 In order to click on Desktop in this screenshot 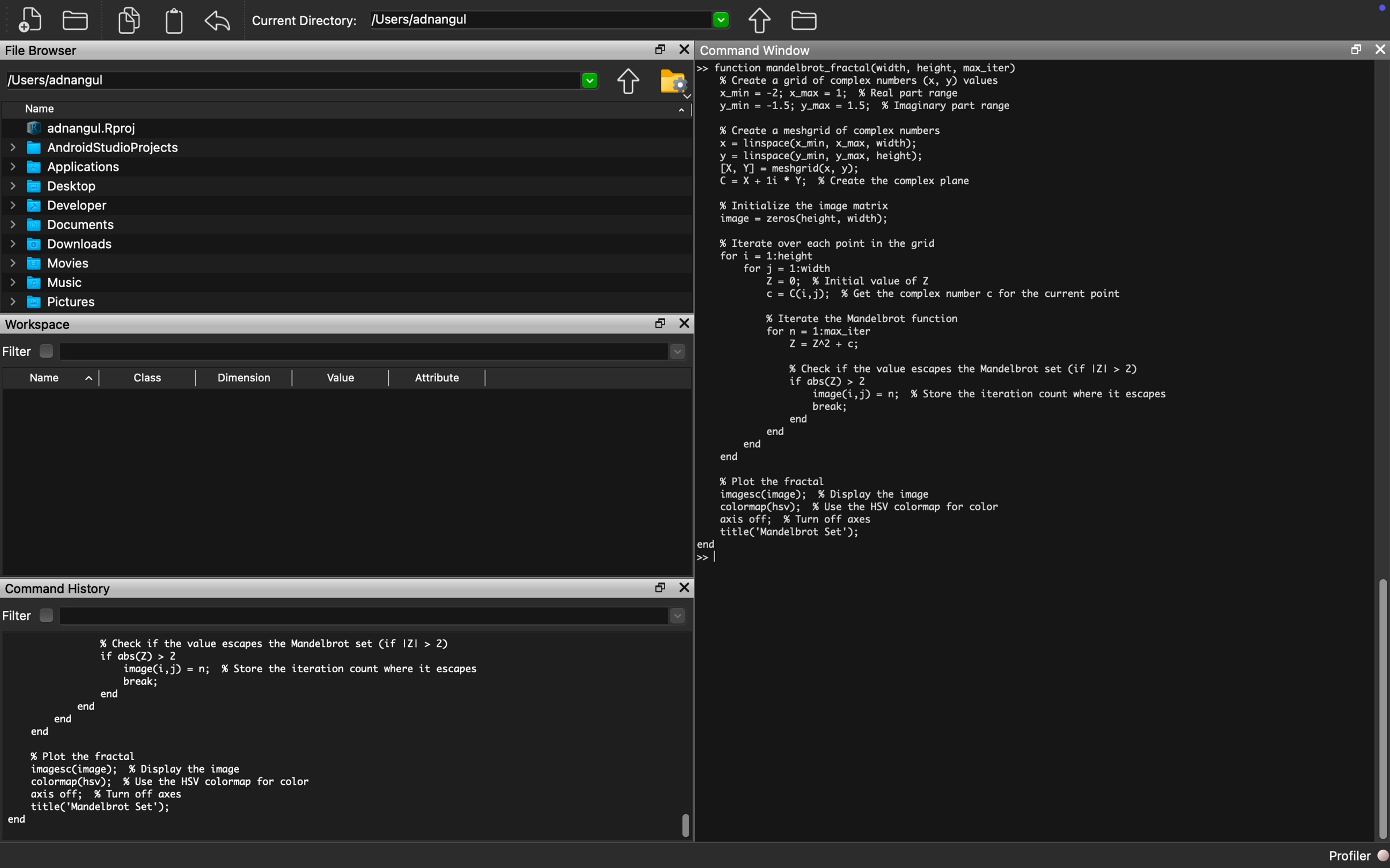, I will do `click(50, 187)`.